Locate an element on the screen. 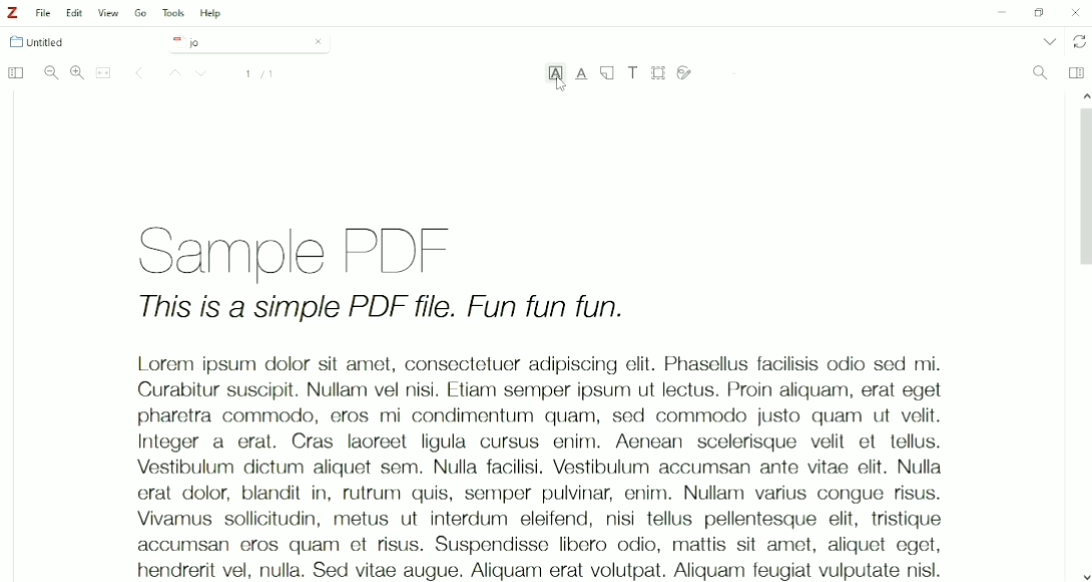  Restore down is located at coordinates (1038, 13).